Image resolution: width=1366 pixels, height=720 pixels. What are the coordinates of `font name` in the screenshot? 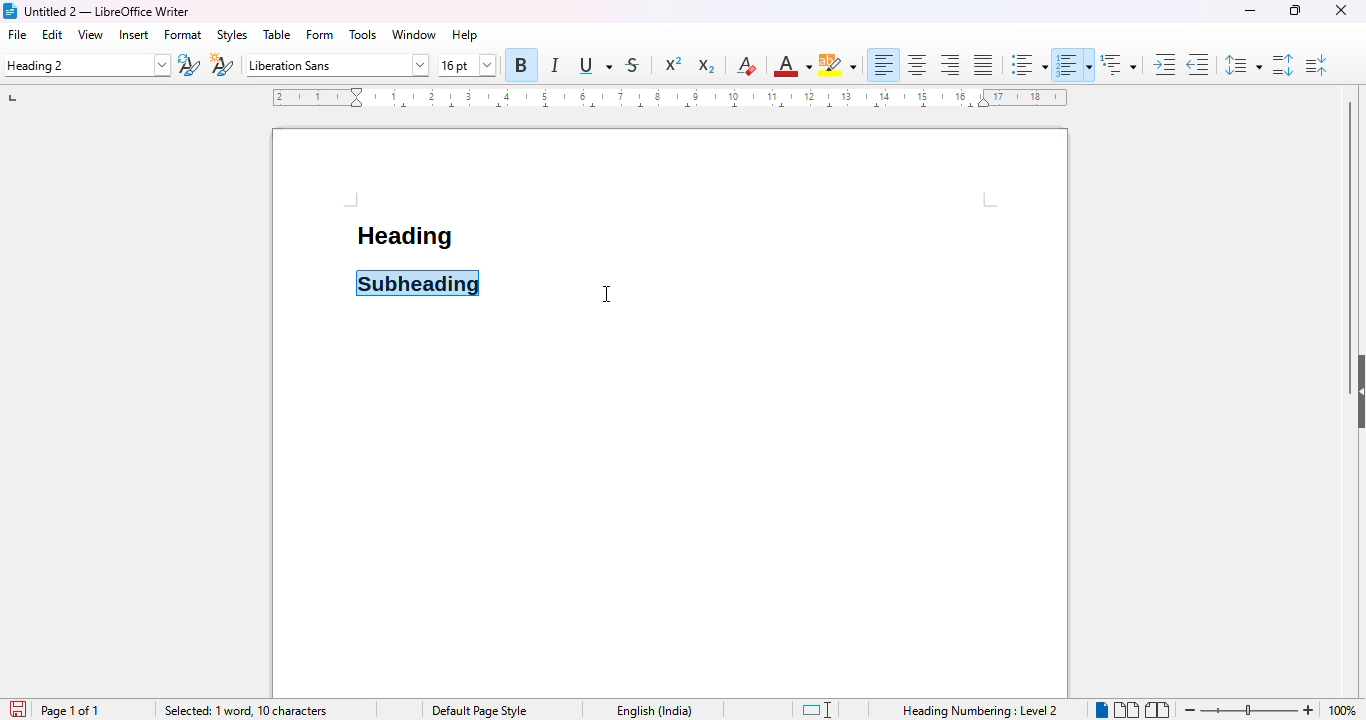 It's located at (338, 65).